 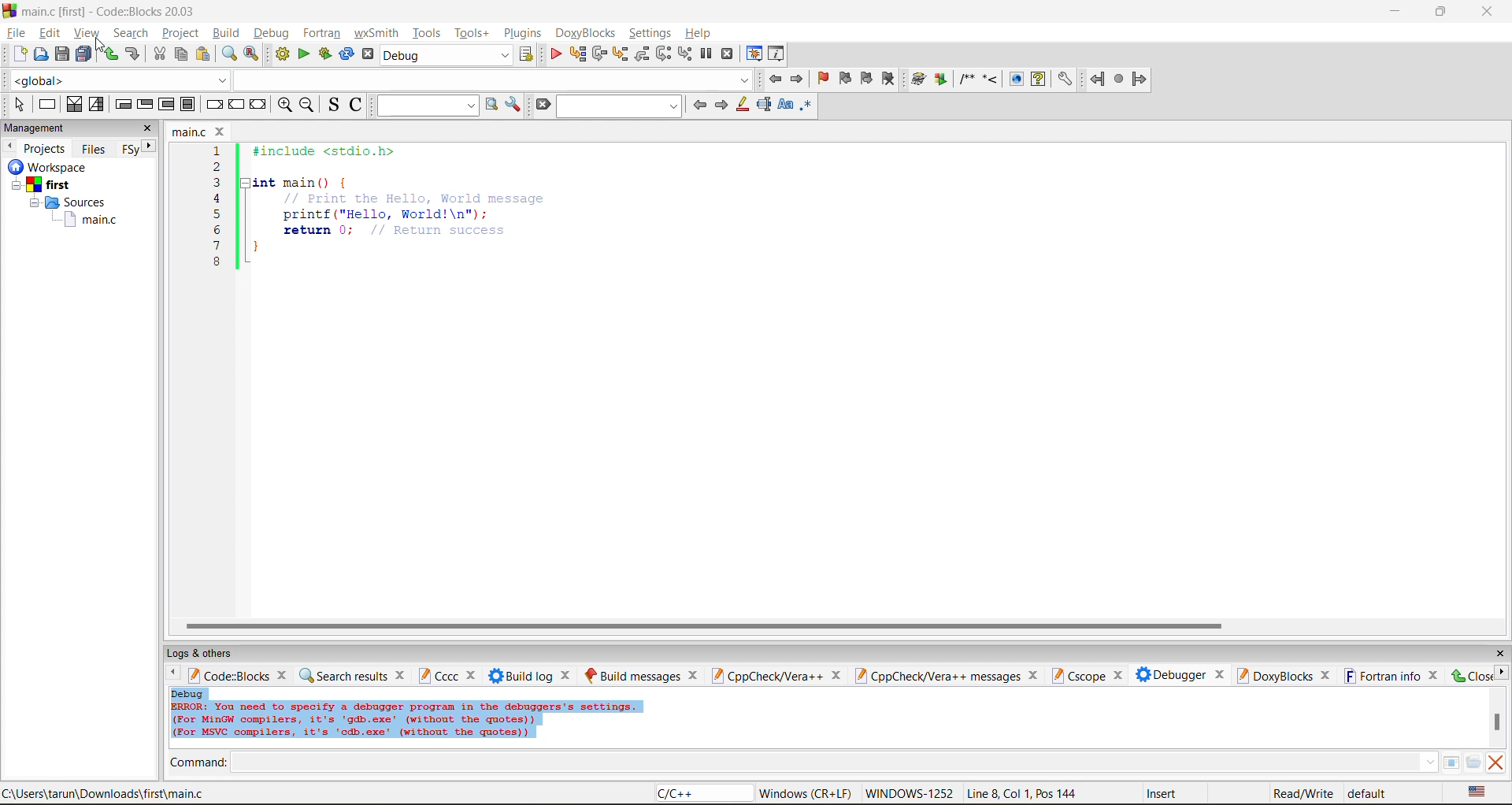 I want to click on cscope, so click(x=1086, y=673).